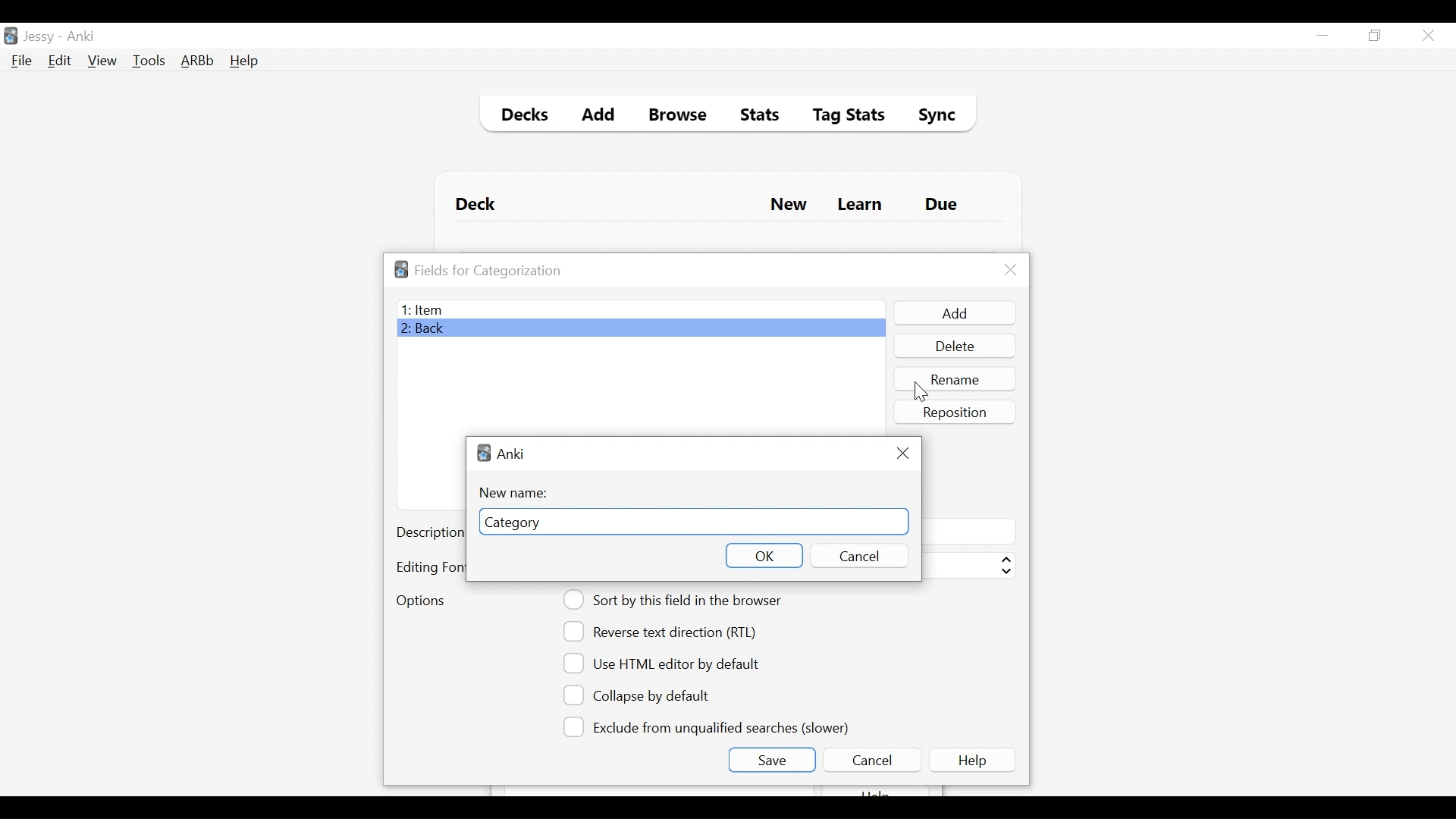 This screenshot has height=819, width=1456. Describe the element at coordinates (968, 566) in the screenshot. I see `Adjust Font Size` at that location.